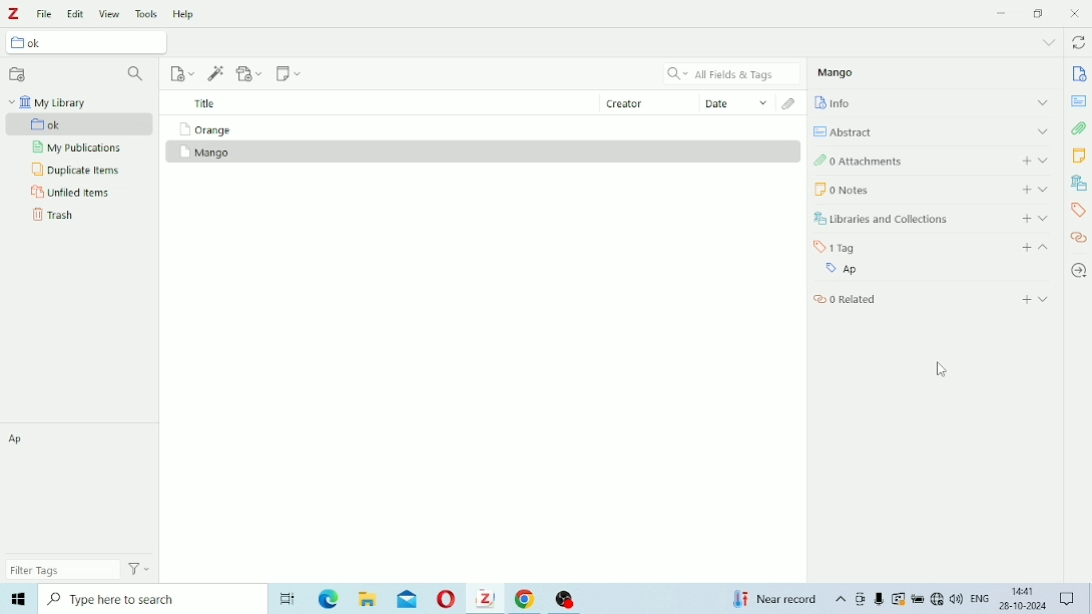 This screenshot has height=614, width=1092. What do you see at coordinates (110, 14) in the screenshot?
I see `View` at bounding box center [110, 14].